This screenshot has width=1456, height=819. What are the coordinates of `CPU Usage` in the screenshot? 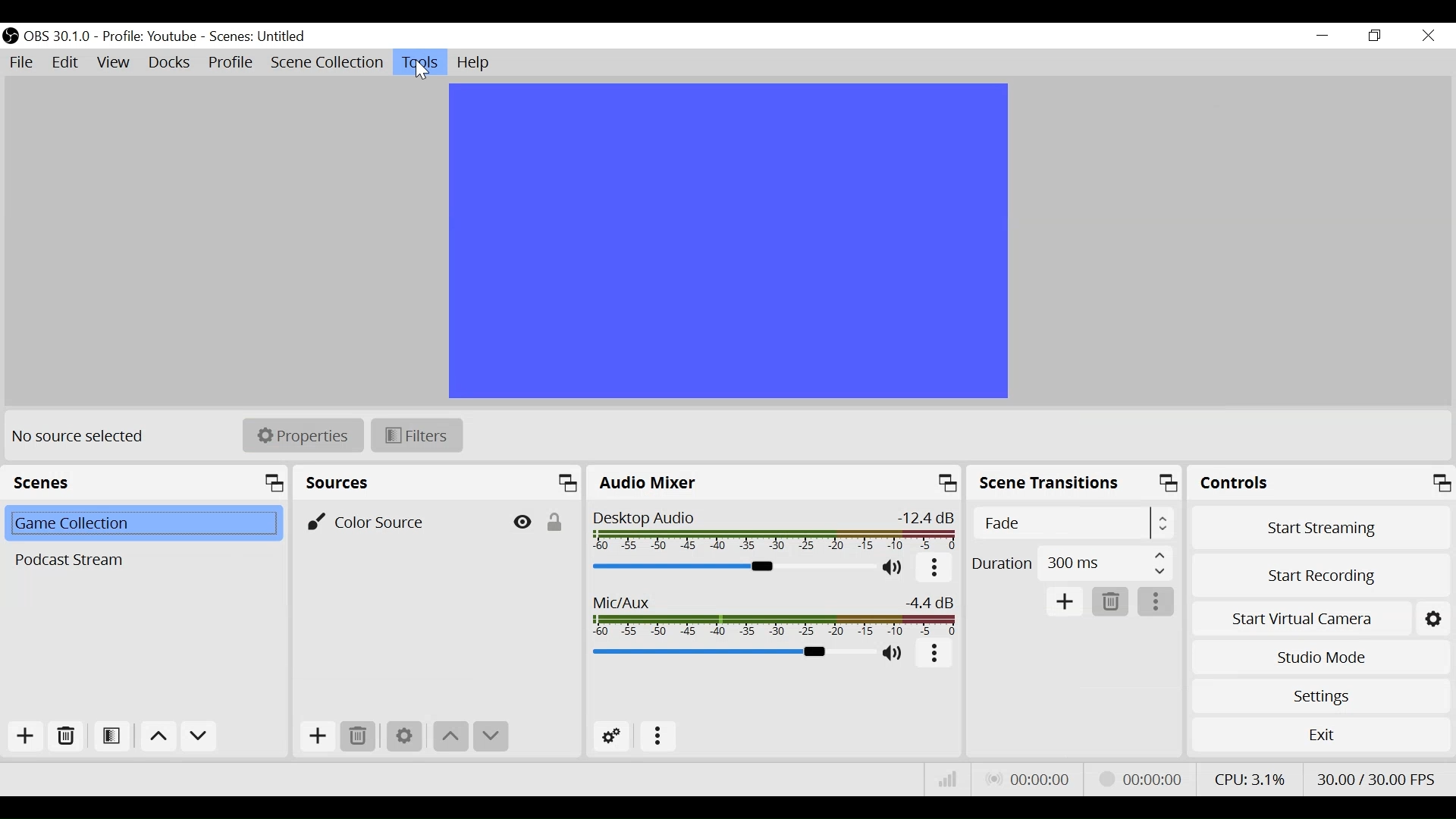 It's located at (1249, 779).